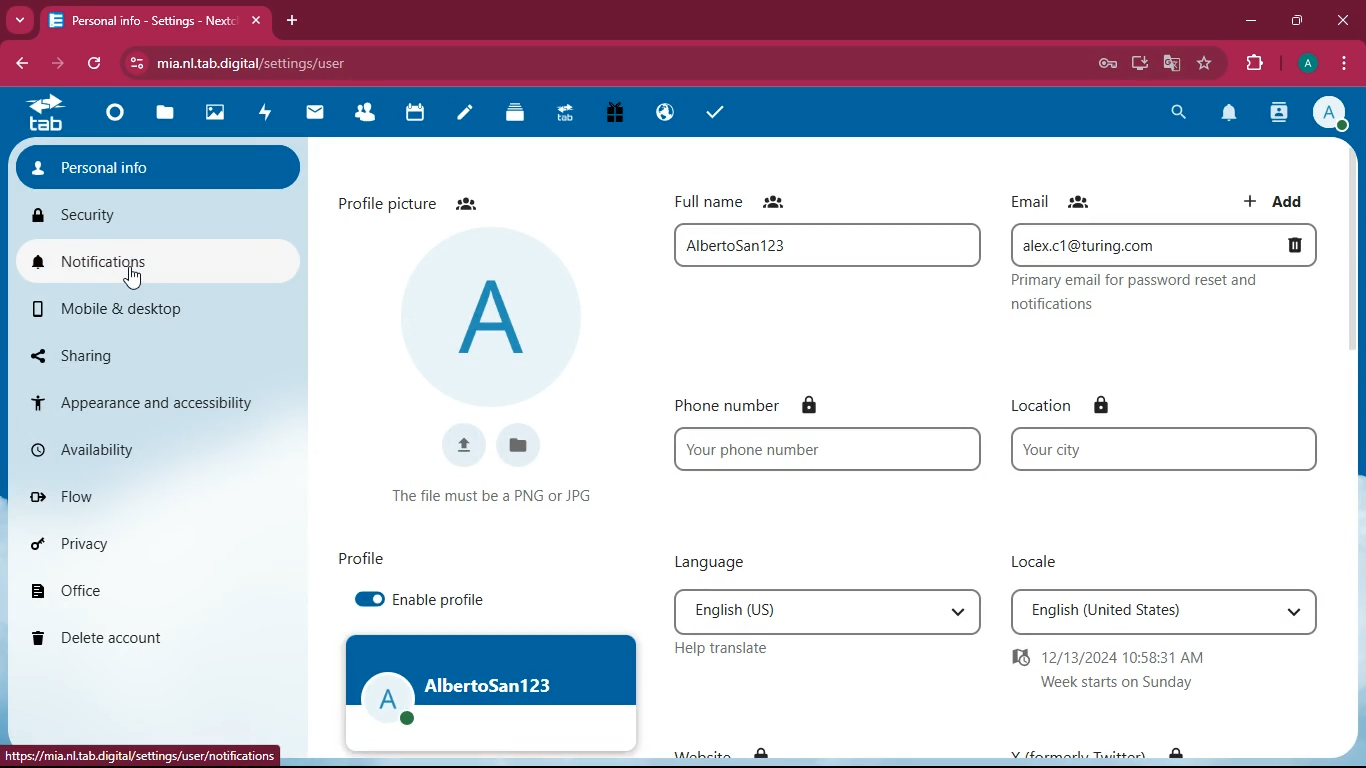 This screenshot has height=768, width=1366. I want to click on close, so click(254, 21).